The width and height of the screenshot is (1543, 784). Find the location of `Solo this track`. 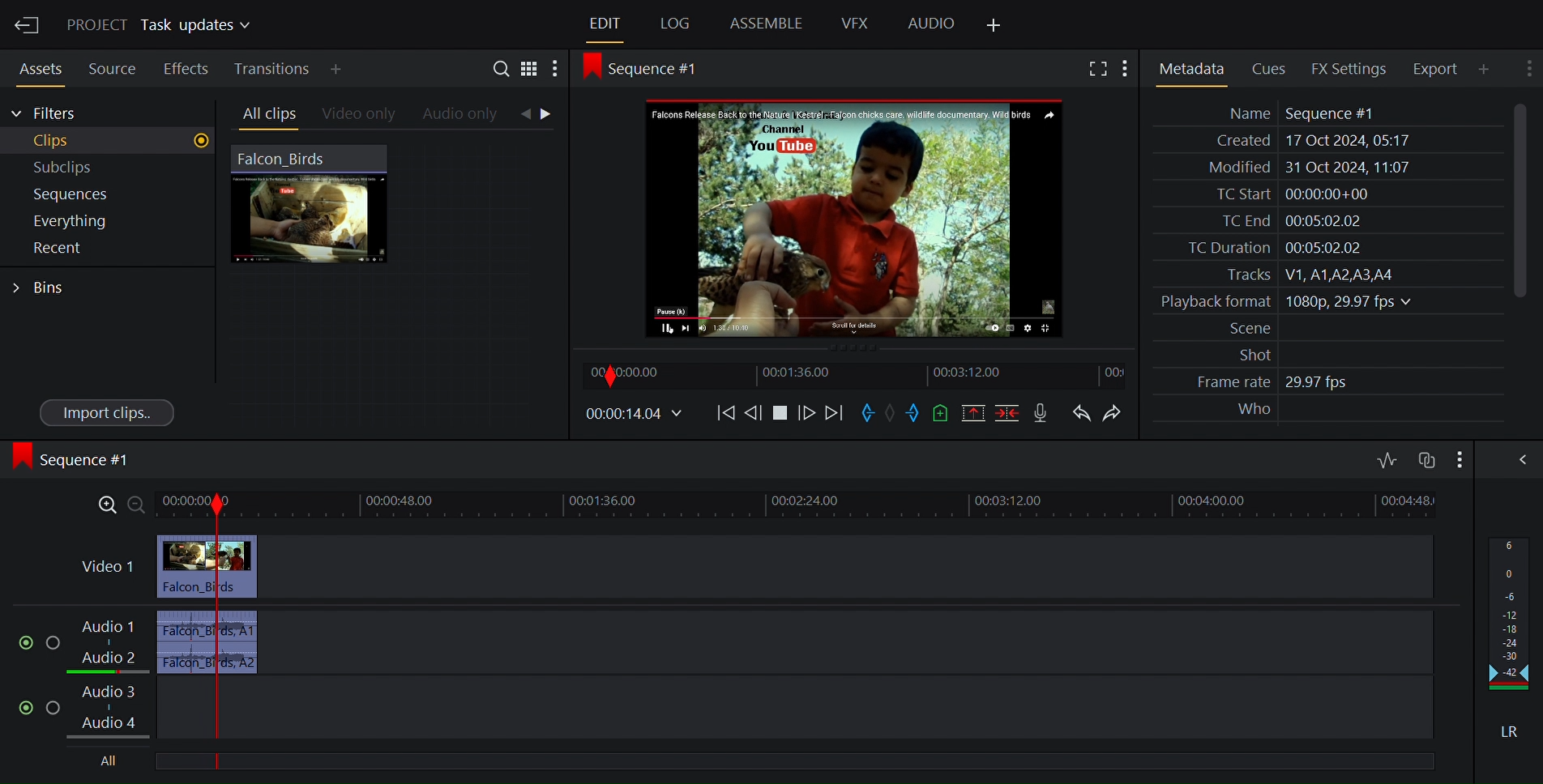

Solo this track is located at coordinates (58, 707).